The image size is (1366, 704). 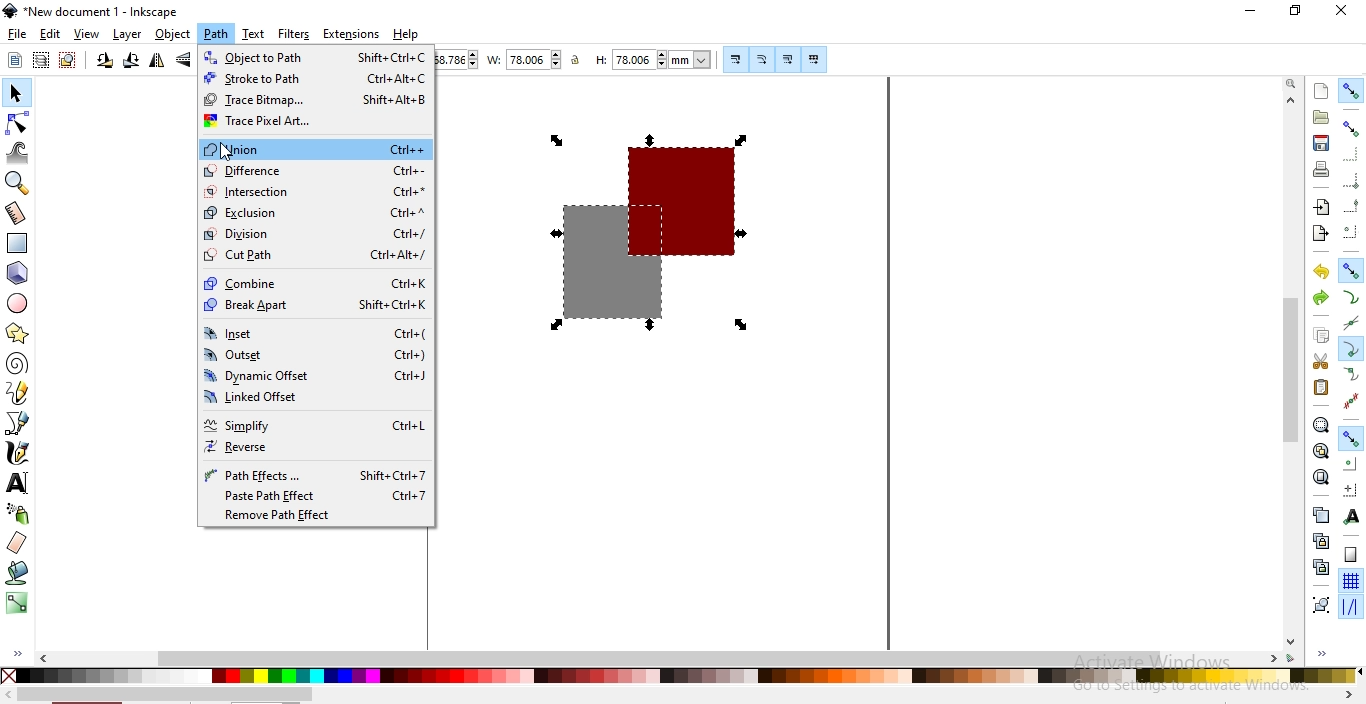 I want to click on snap guides, so click(x=1350, y=607).